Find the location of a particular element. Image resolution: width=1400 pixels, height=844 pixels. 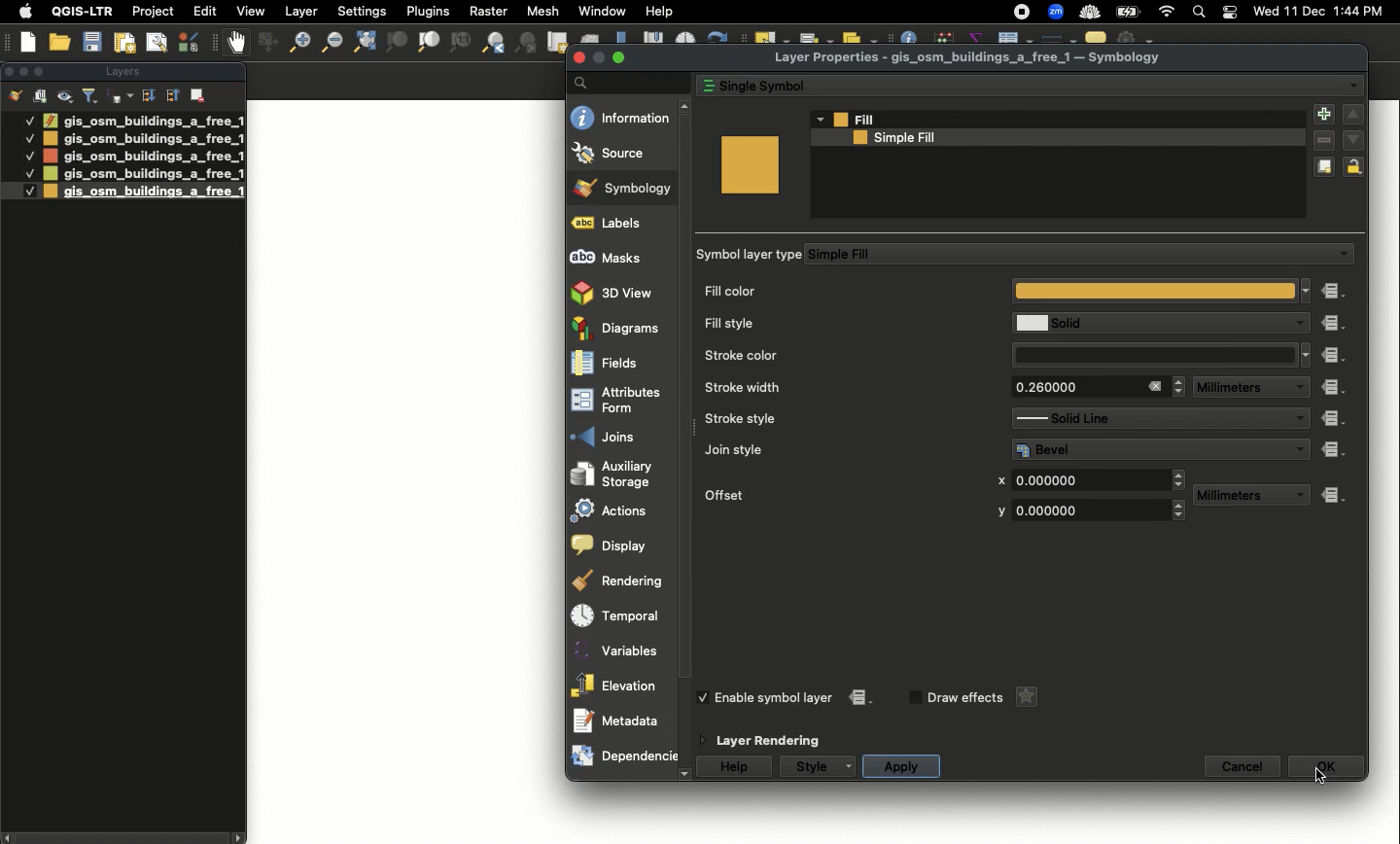

nchecked is located at coordinates (913, 698).